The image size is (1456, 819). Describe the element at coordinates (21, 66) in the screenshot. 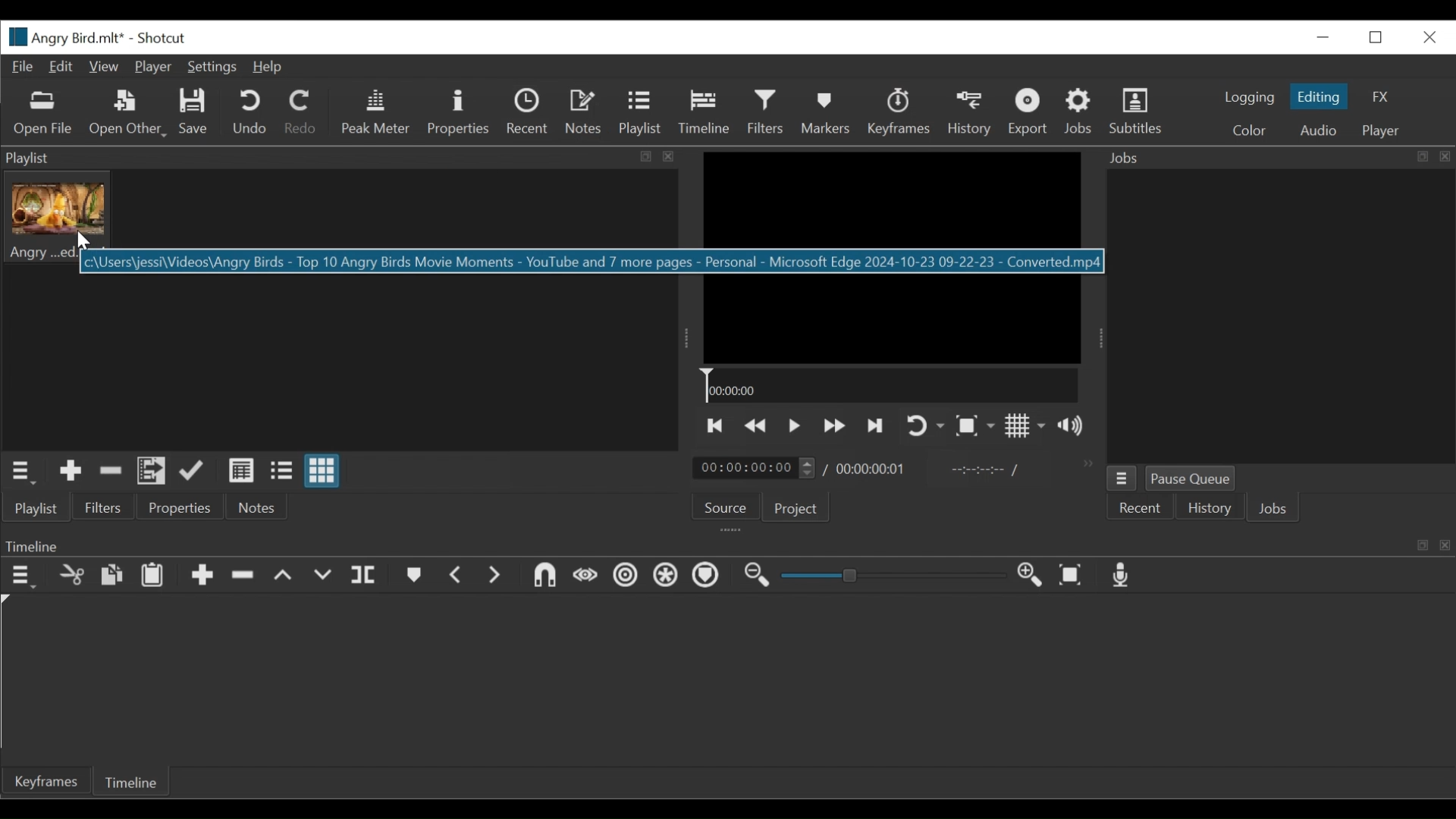

I see `File` at that location.